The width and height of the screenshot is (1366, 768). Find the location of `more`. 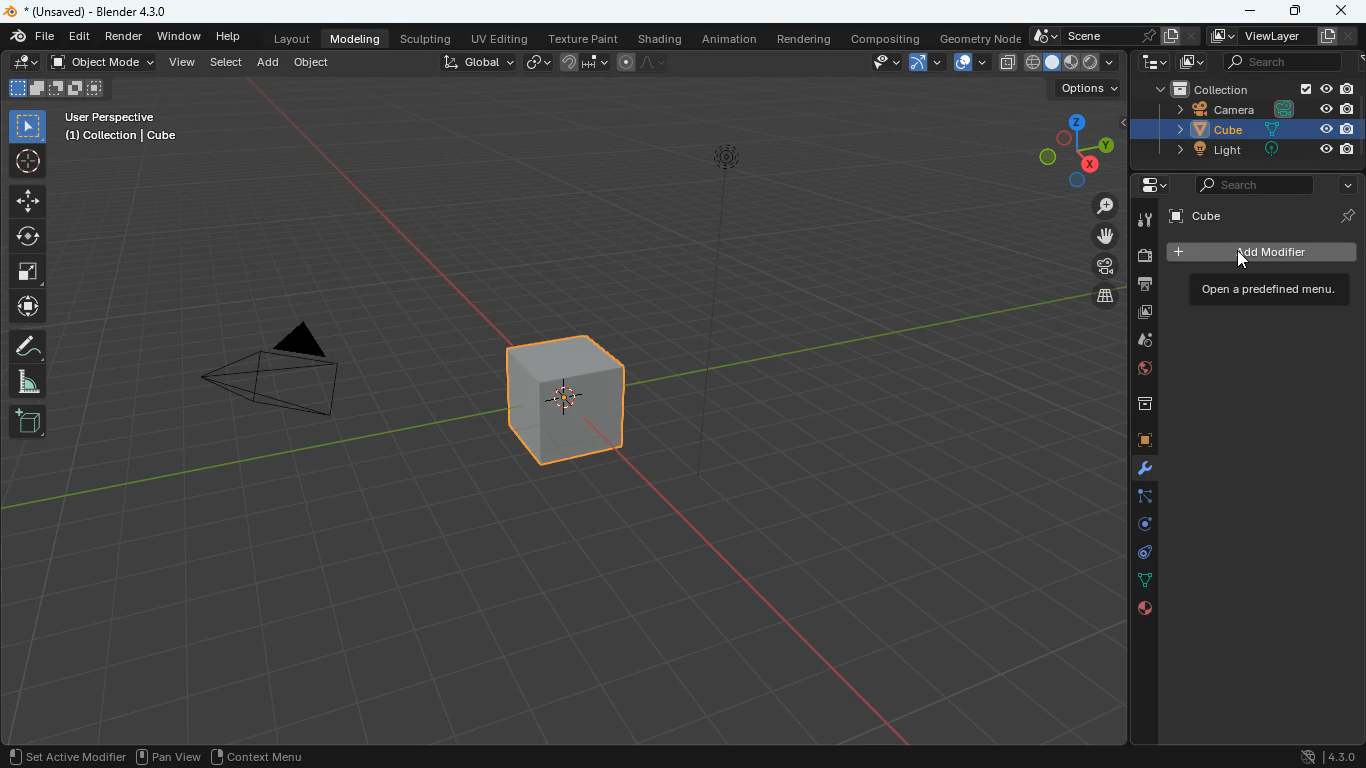

more is located at coordinates (1342, 186).